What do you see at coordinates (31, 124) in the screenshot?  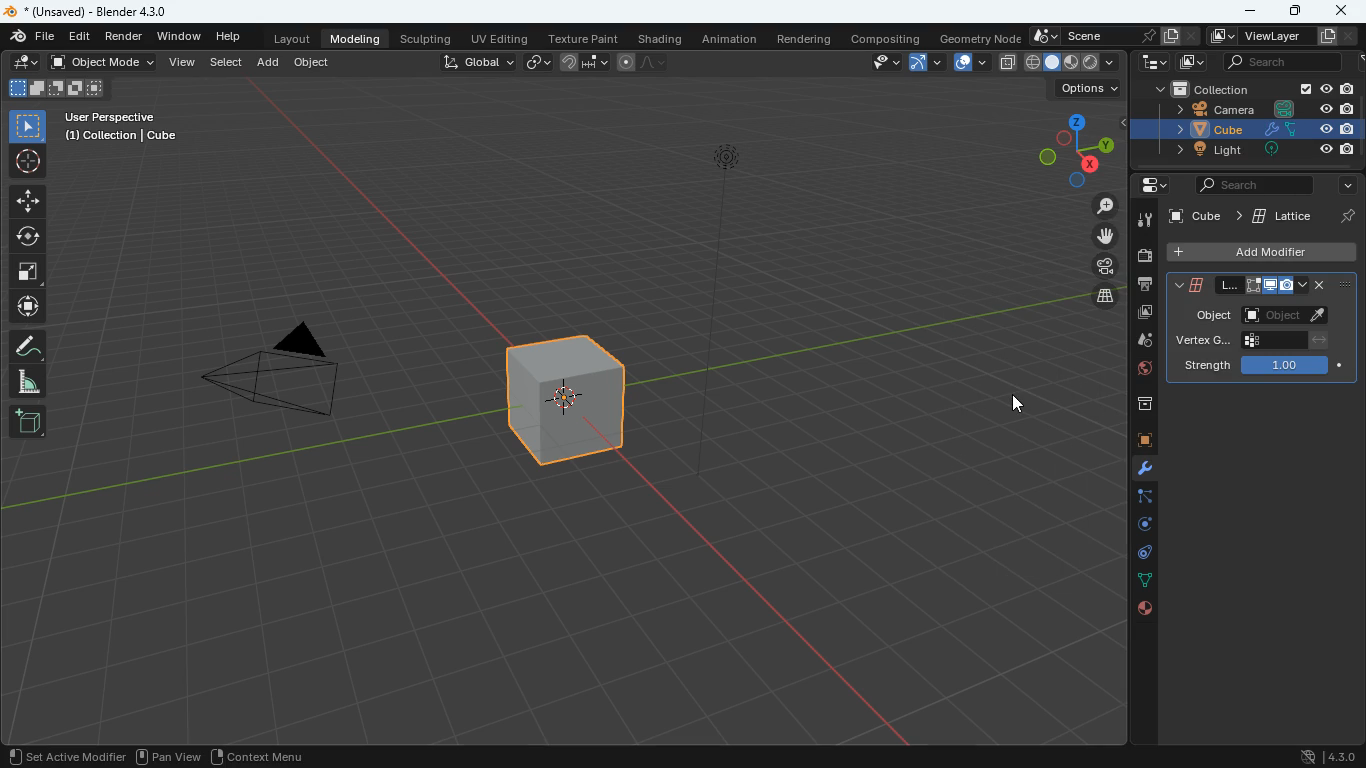 I see `select` at bounding box center [31, 124].